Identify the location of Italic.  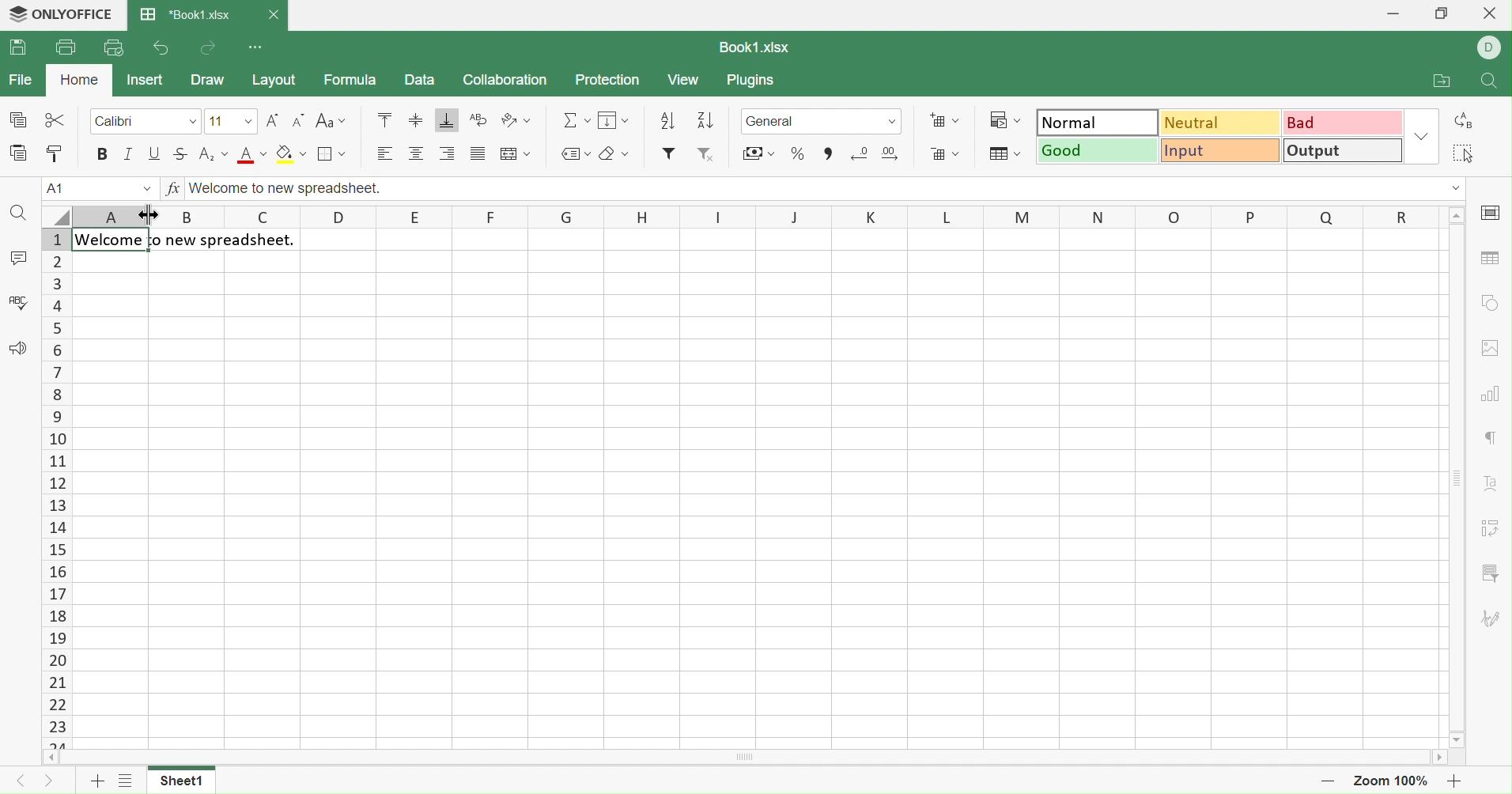
(129, 151).